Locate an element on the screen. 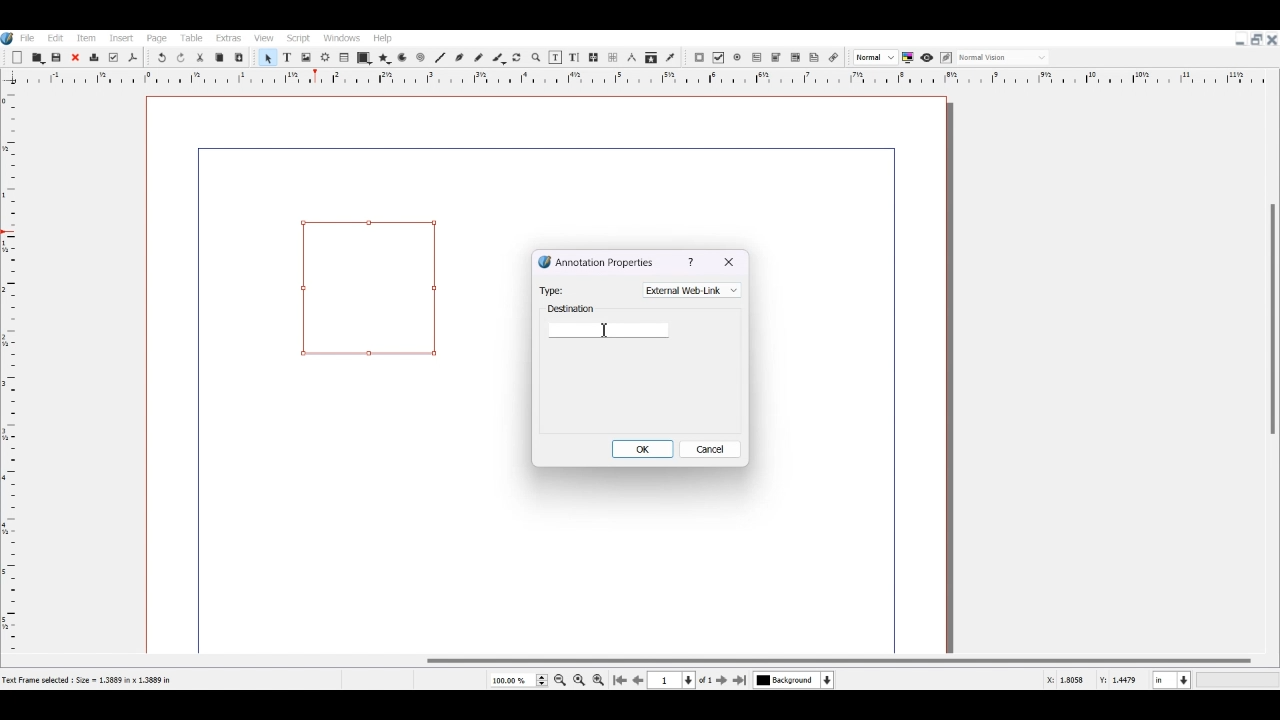 The height and width of the screenshot is (720, 1280). Polygon is located at coordinates (384, 58).